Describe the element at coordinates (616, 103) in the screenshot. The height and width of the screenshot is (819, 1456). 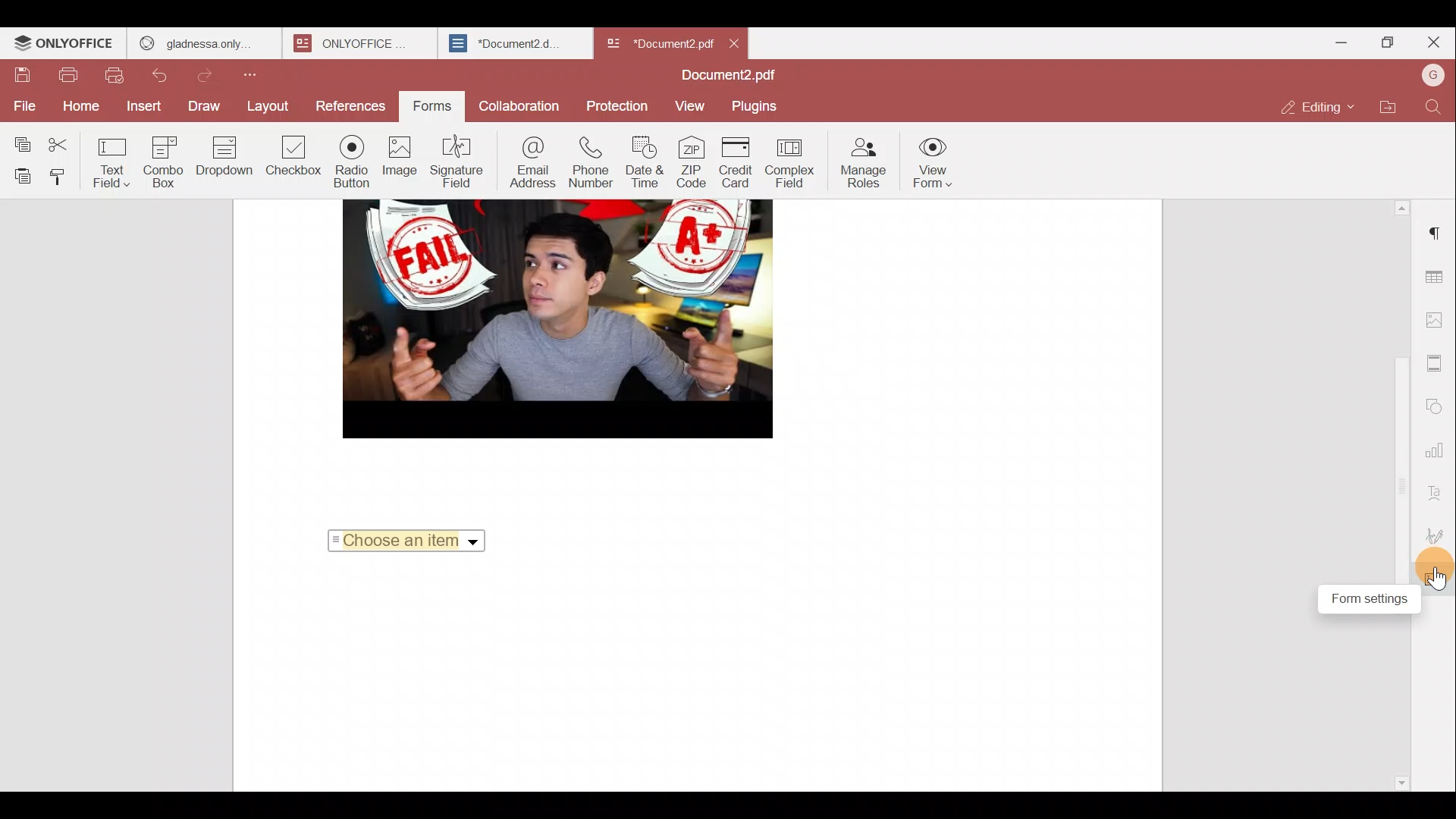
I see `Protection` at that location.